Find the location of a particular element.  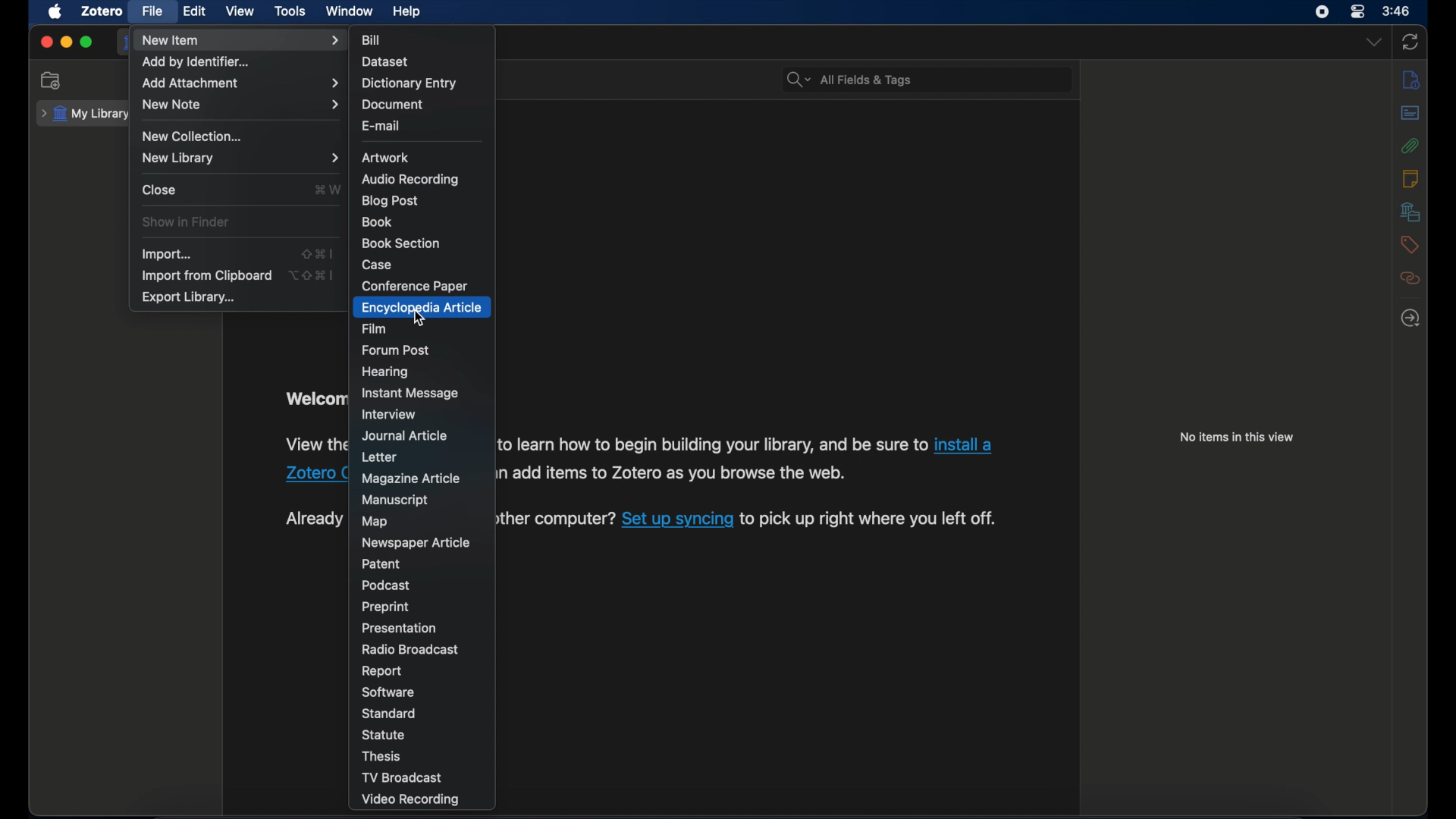

new note is located at coordinates (242, 104).